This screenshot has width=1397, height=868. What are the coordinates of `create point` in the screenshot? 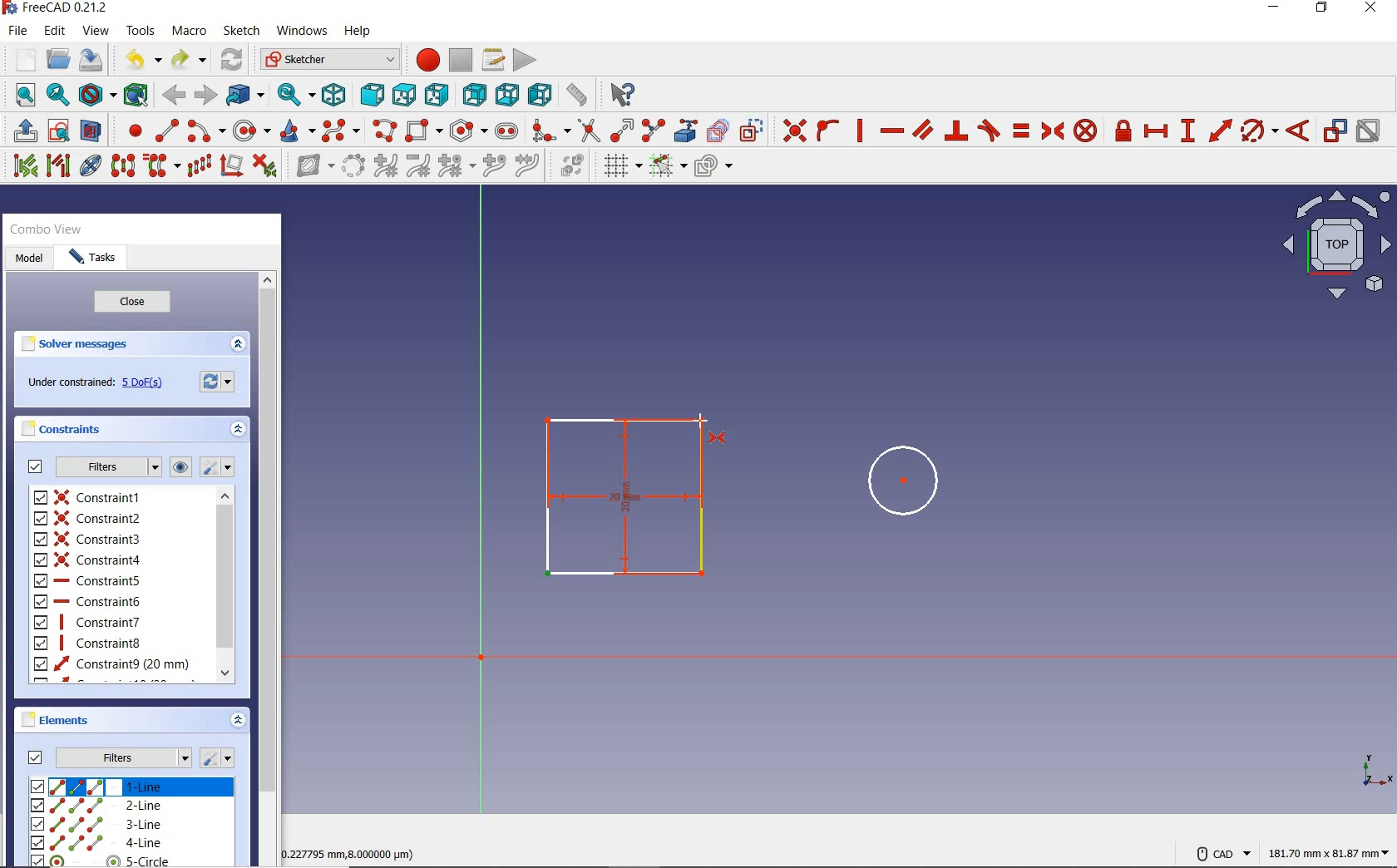 It's located at (131, 129).